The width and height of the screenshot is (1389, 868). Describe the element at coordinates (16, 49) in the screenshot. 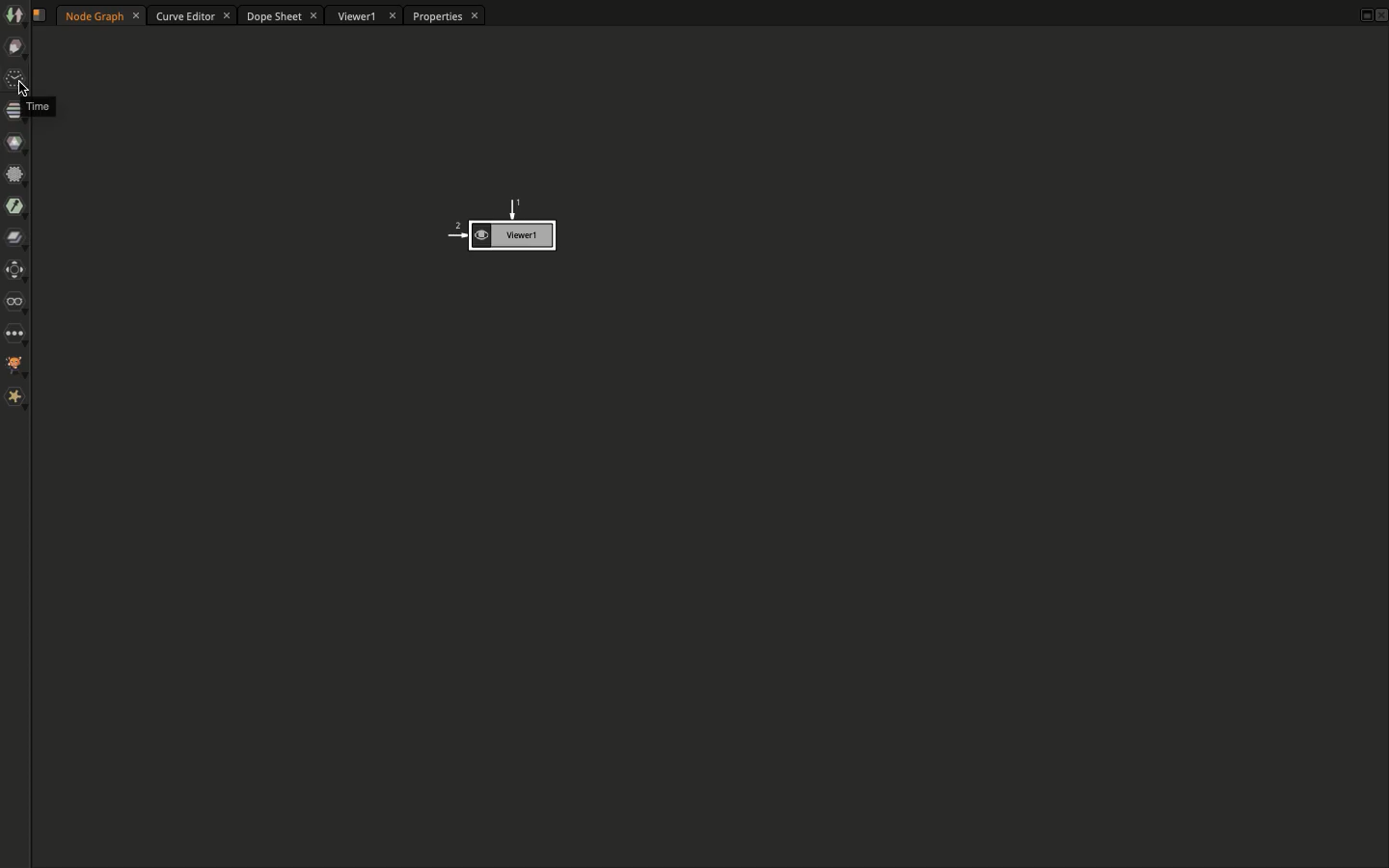

I see `Draw` at that location.